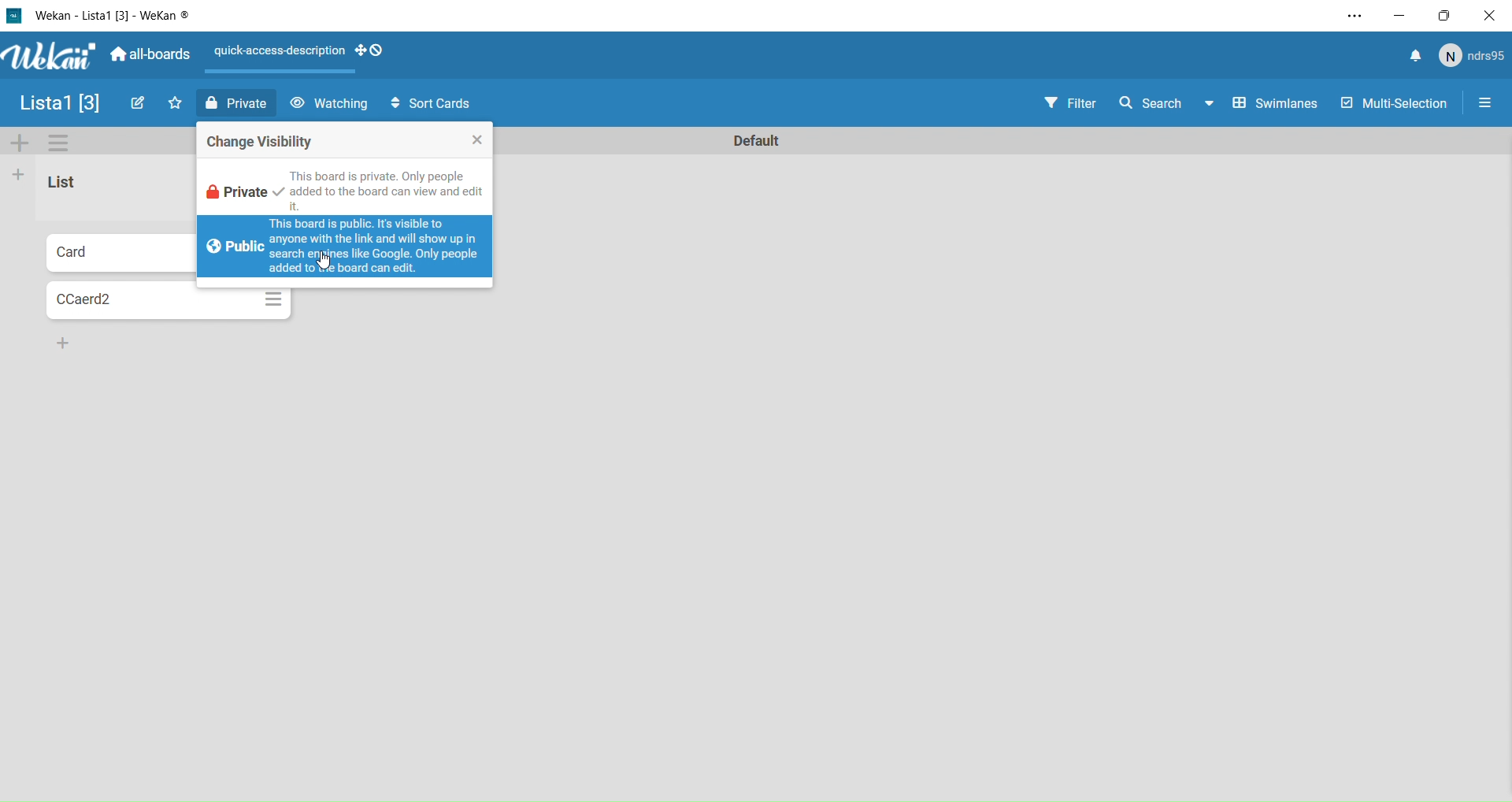 This screenshot has height=802, width=1512. What do you see at coordinates (76, 187) in the screenshot?
I see `List` at bounding box center [76, 187].